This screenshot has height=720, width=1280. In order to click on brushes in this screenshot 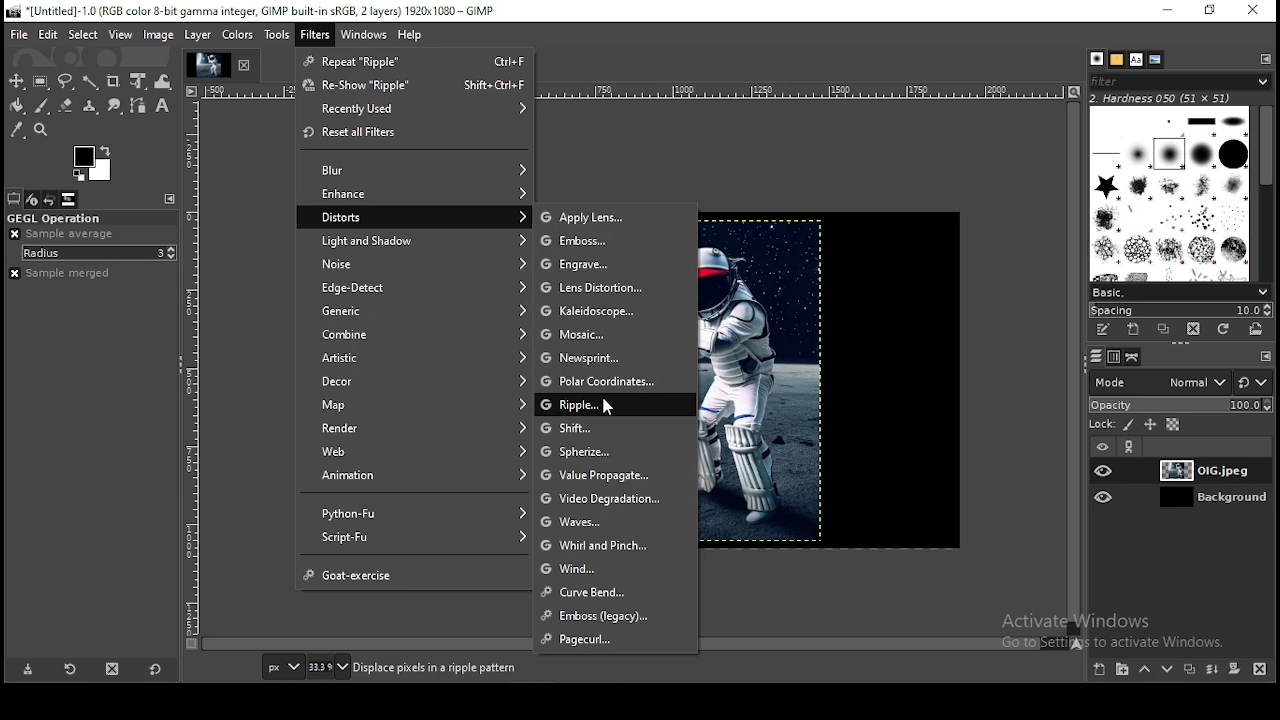, I will do `click(1169, 194)`.